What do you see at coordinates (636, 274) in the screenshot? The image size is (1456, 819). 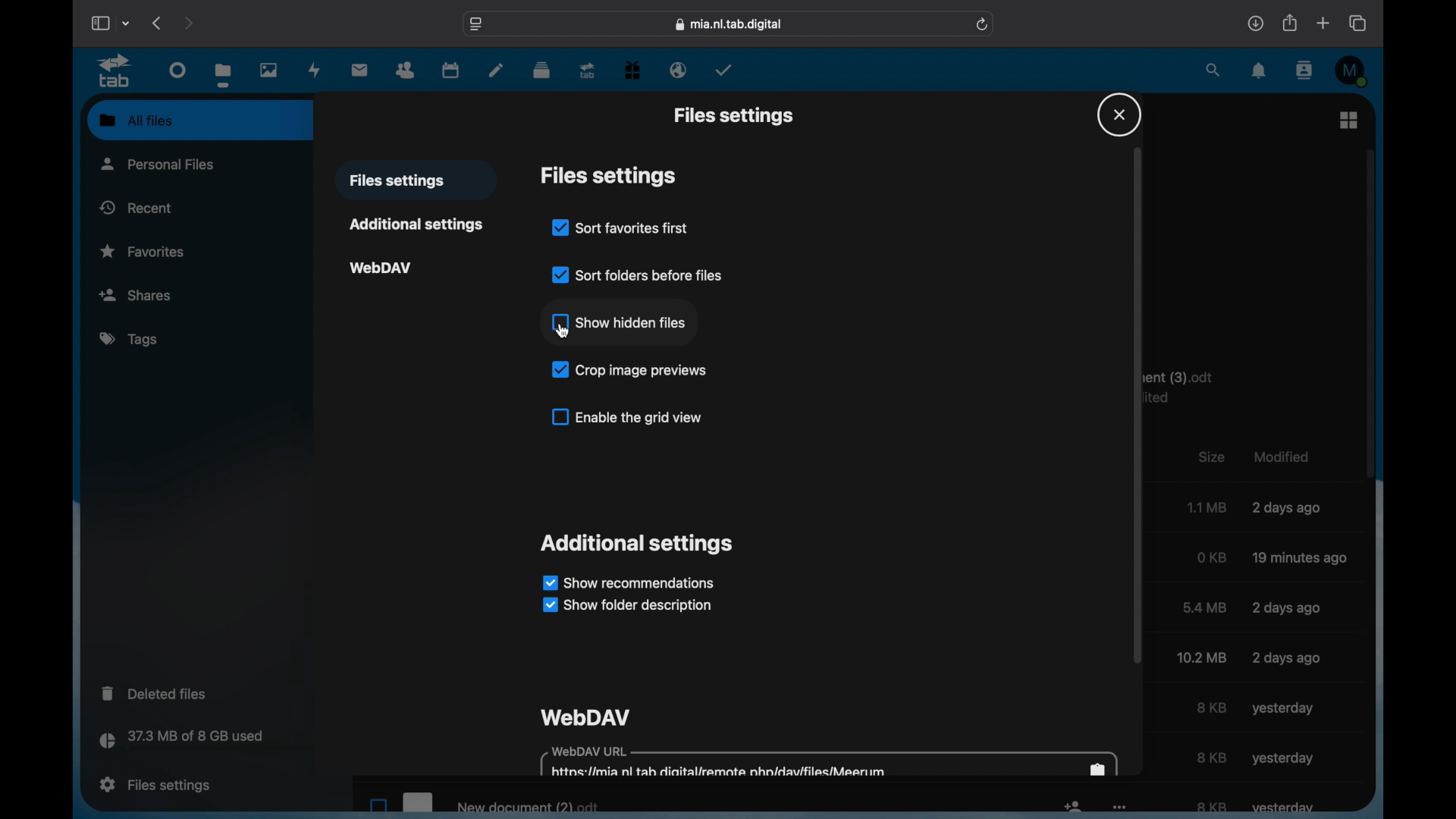 I see `sort folders before files` at bounding box center [636, 274].